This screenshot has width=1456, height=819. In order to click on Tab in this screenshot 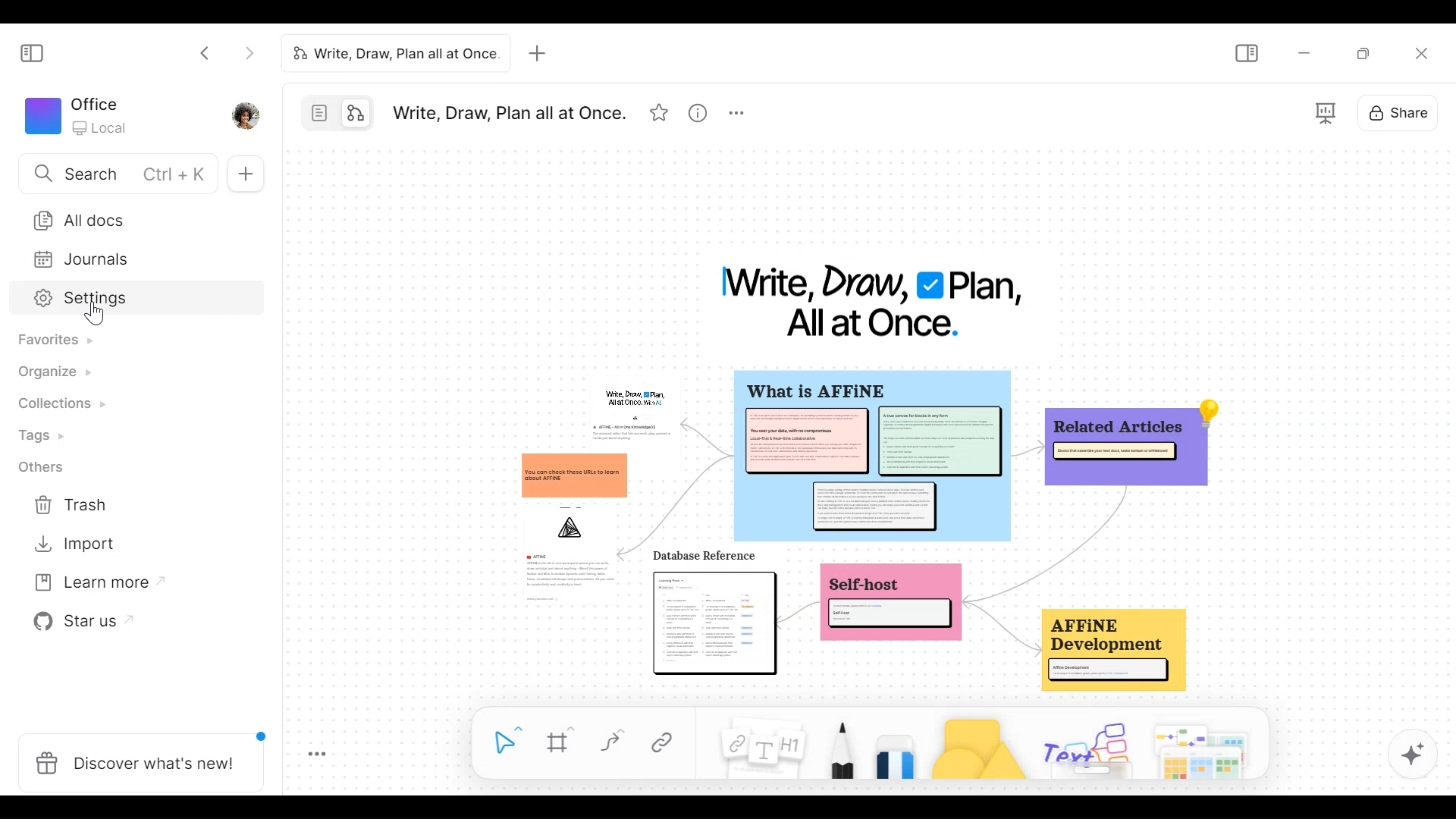, I will do `click(389, 54)`.